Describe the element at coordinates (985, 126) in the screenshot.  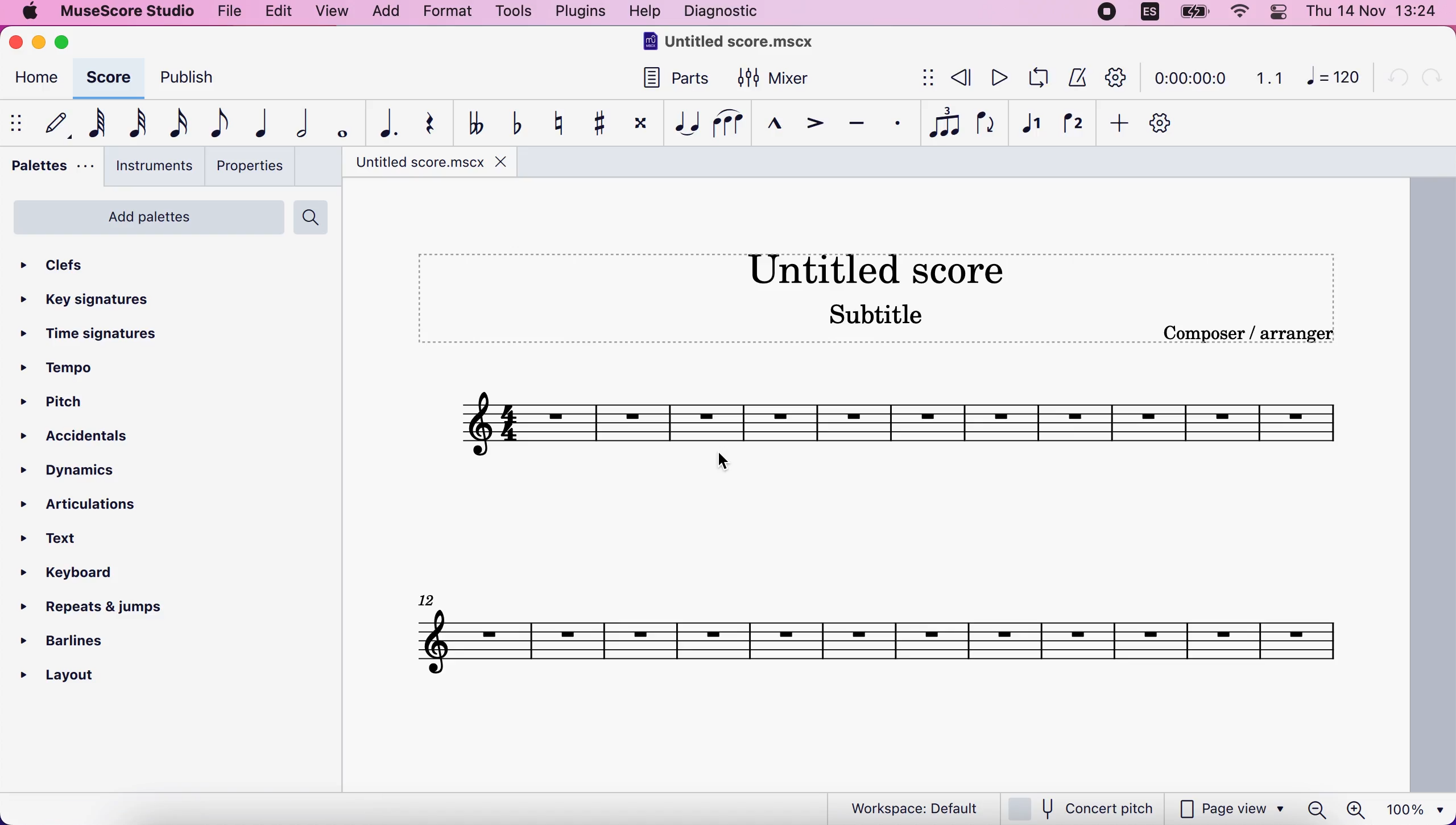
I see `flip directions` at that location.